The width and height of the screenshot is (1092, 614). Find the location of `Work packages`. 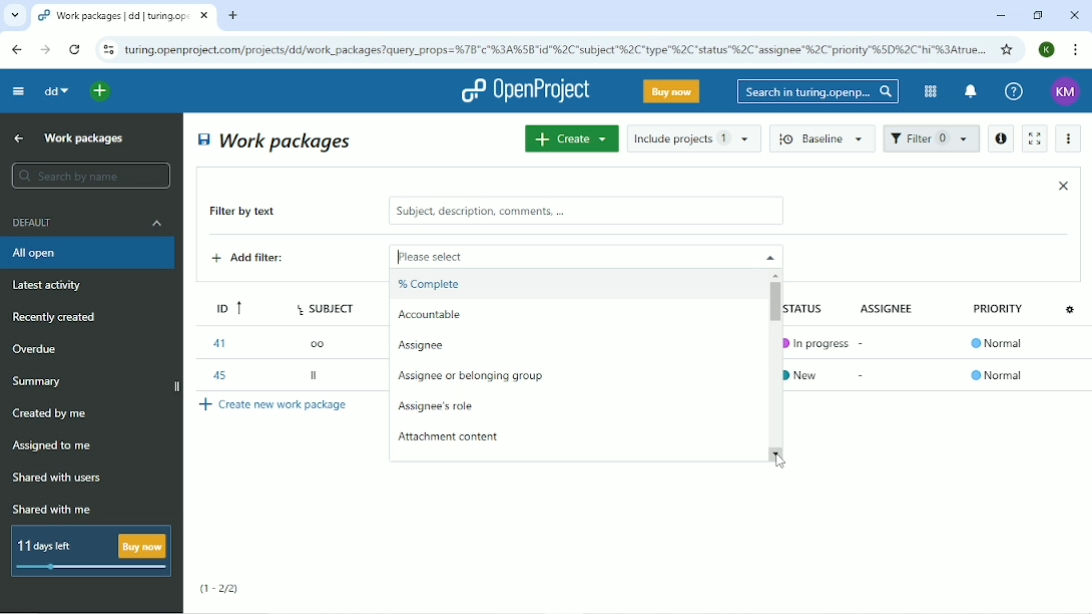

Work packages is located at coordinates (85, 137).